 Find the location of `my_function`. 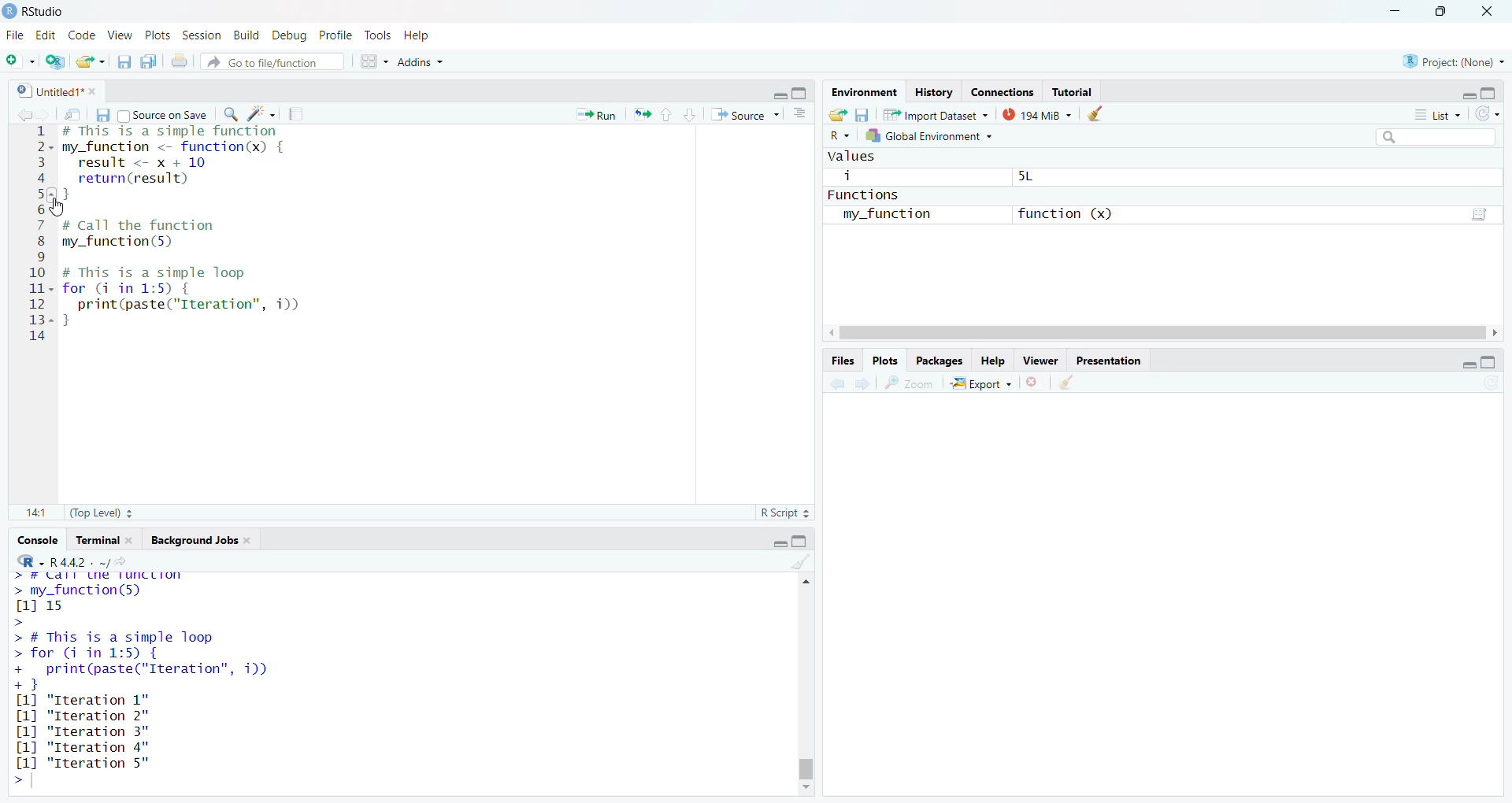

my_function is located at coordinates (891, 214).